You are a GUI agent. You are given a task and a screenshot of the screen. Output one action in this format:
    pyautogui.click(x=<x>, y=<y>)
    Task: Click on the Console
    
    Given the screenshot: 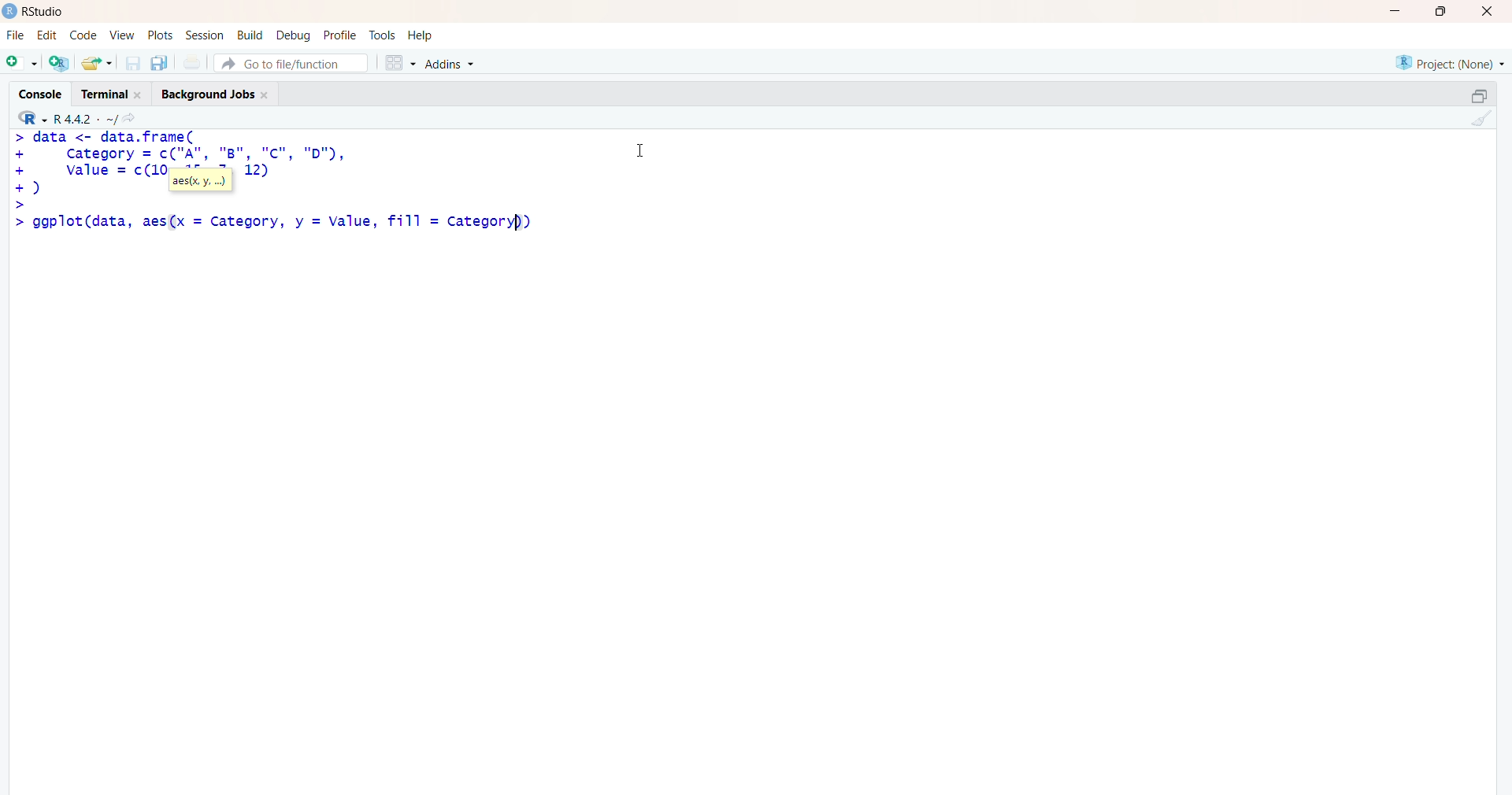 What is the action you would take?
    pyautogui.click(x=44, y=92)
    